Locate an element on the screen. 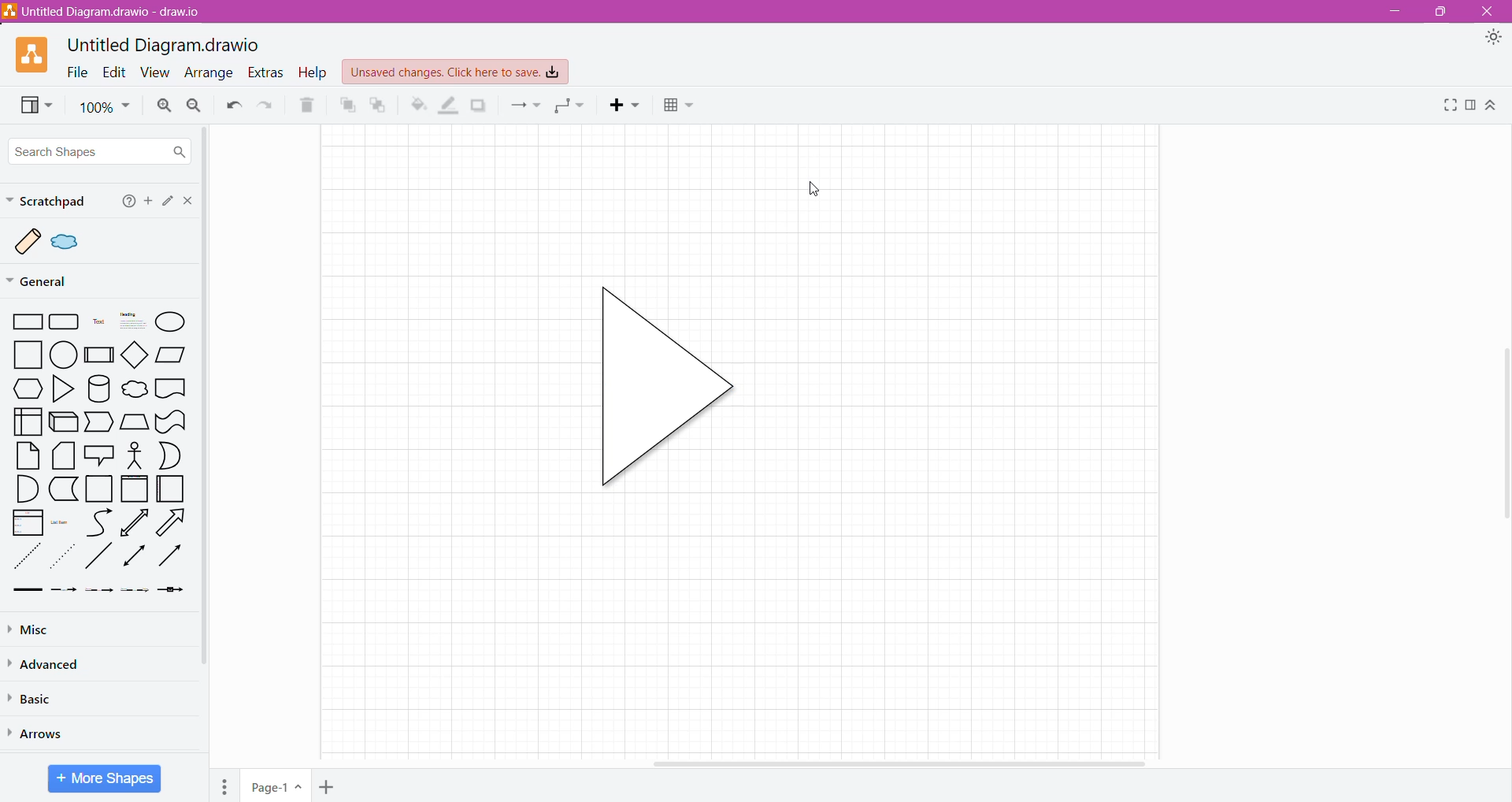 This screenshot has width=1512, height=802. Pages is located at coordinates (224, 785).